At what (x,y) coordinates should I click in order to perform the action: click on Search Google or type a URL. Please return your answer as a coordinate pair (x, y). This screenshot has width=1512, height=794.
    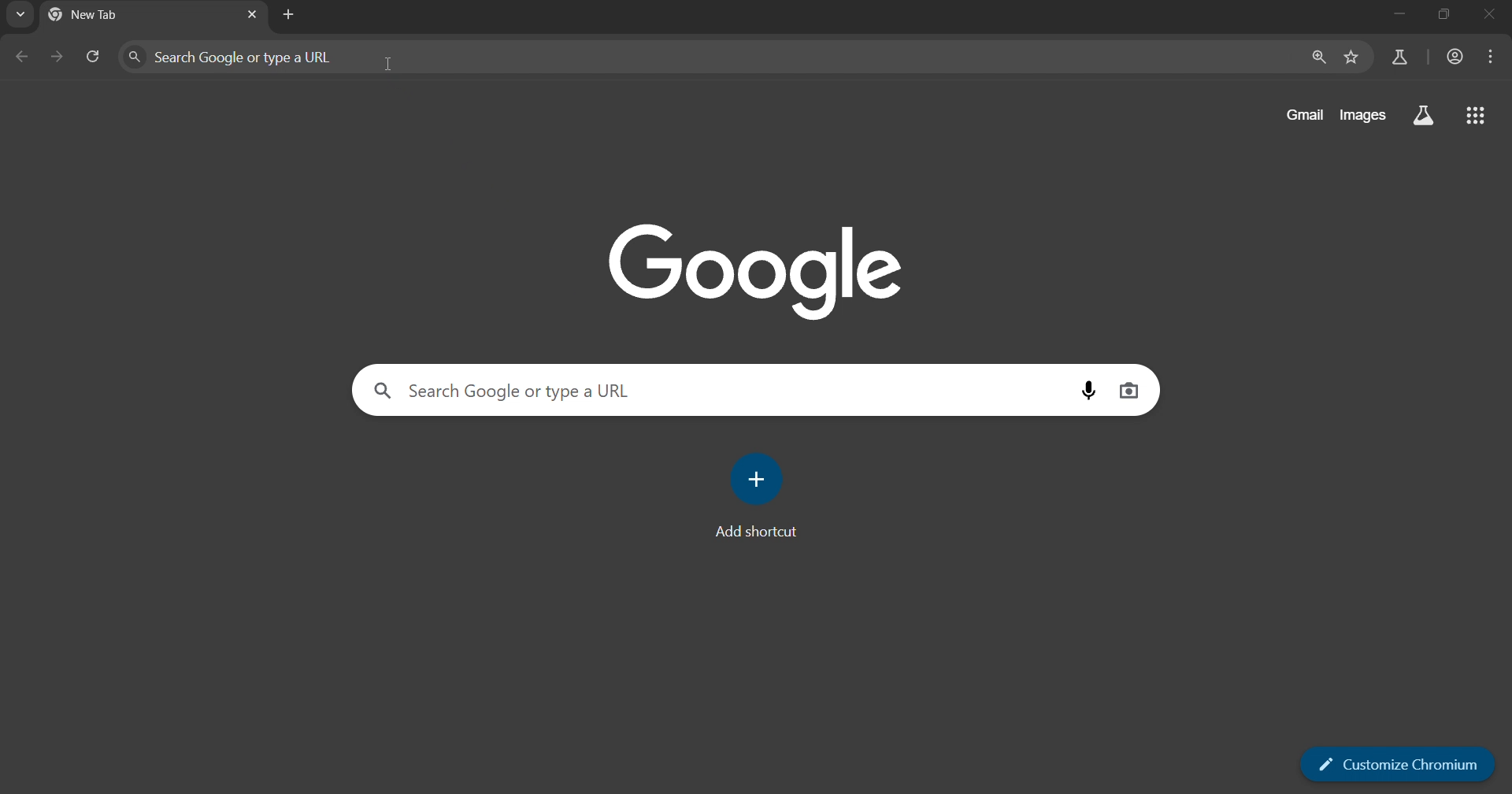
    Looking at the image, I should click on (508, 389).